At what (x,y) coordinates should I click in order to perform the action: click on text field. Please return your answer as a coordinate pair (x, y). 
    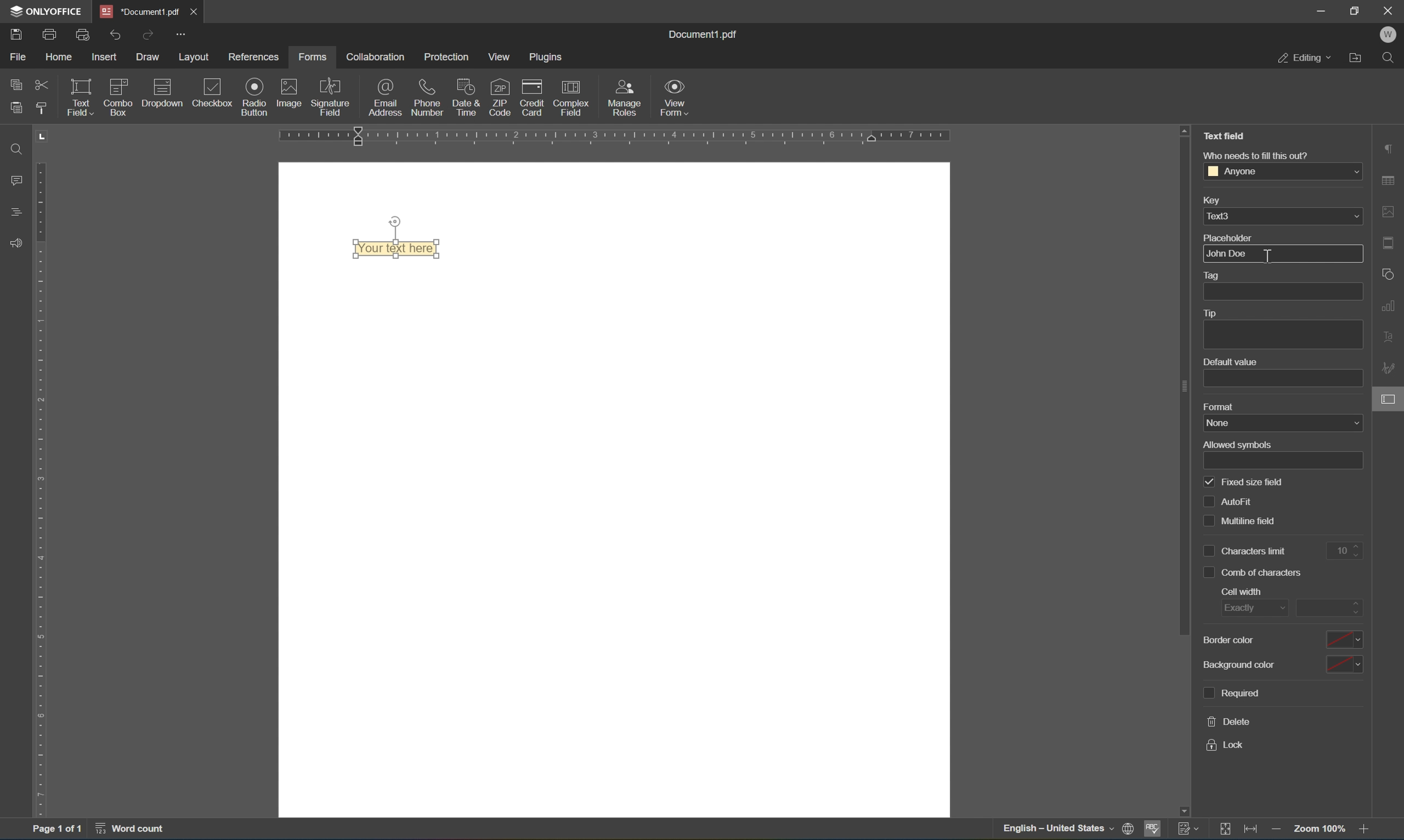
    Looking at the image, I should click on (80, 96).